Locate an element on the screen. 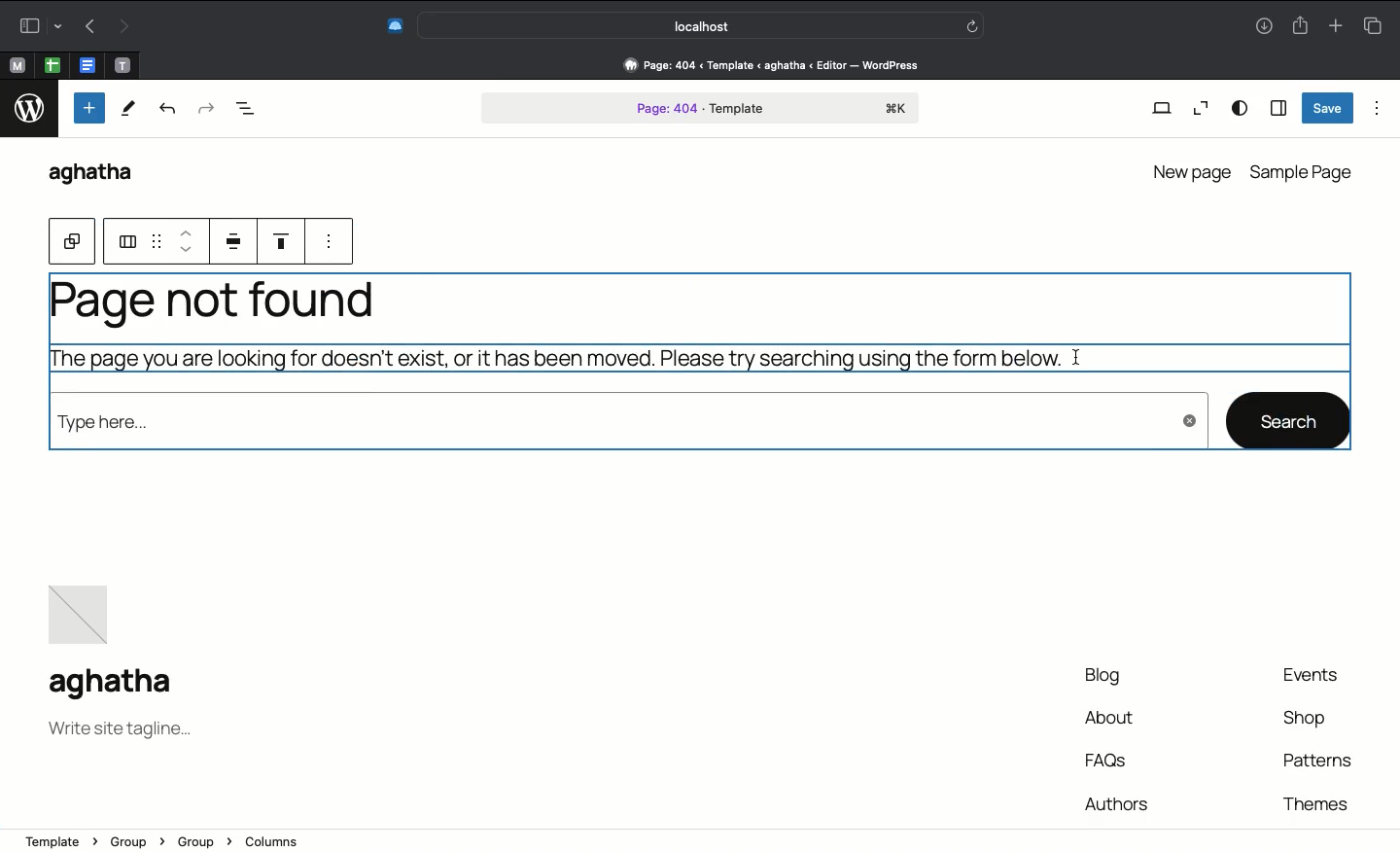 The height and width of the screenshot is (852, 1400). open tab, google docs is located at coordinates (86, 66).